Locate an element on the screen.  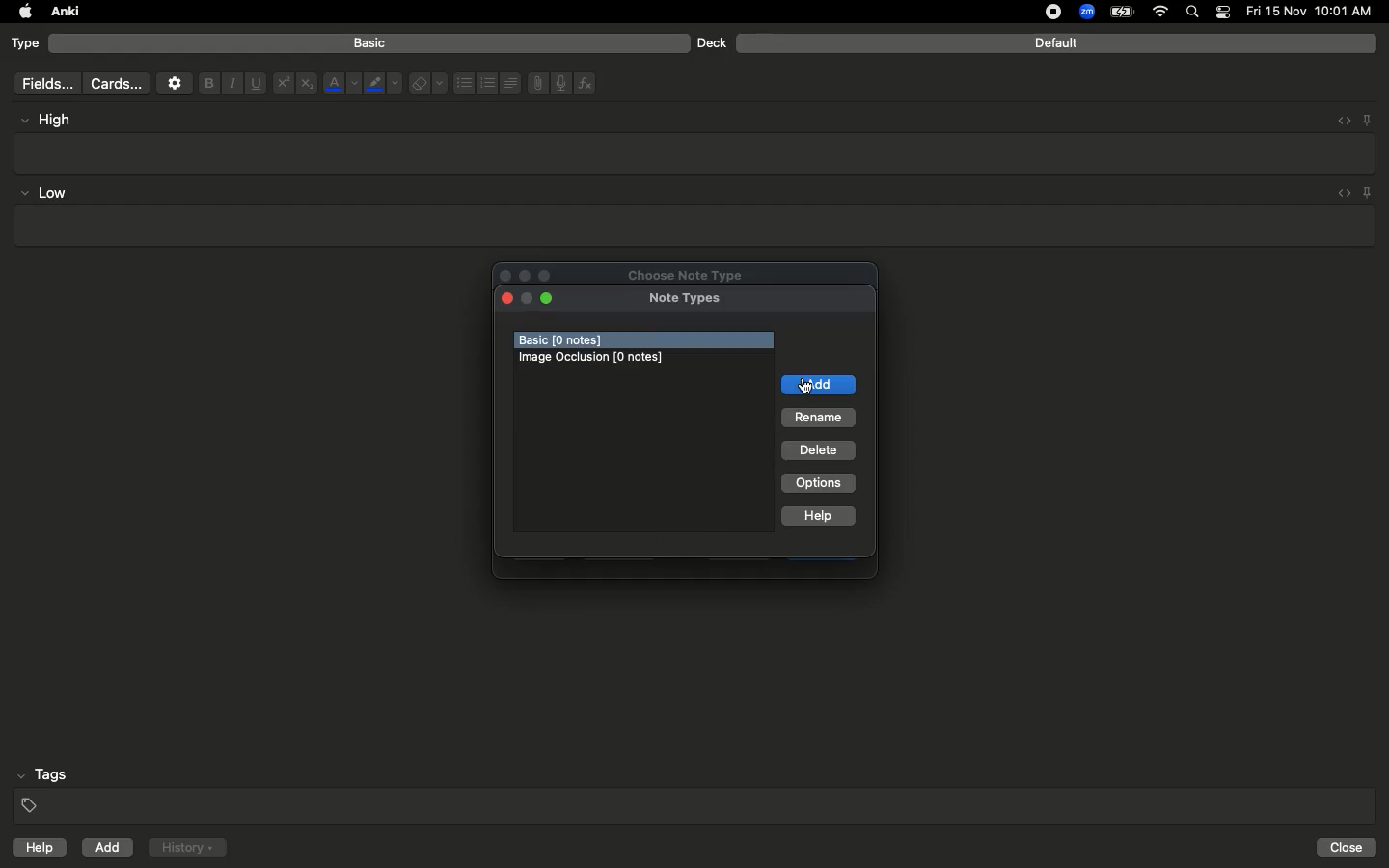
Choose note type is located at coordinates (692, 274).